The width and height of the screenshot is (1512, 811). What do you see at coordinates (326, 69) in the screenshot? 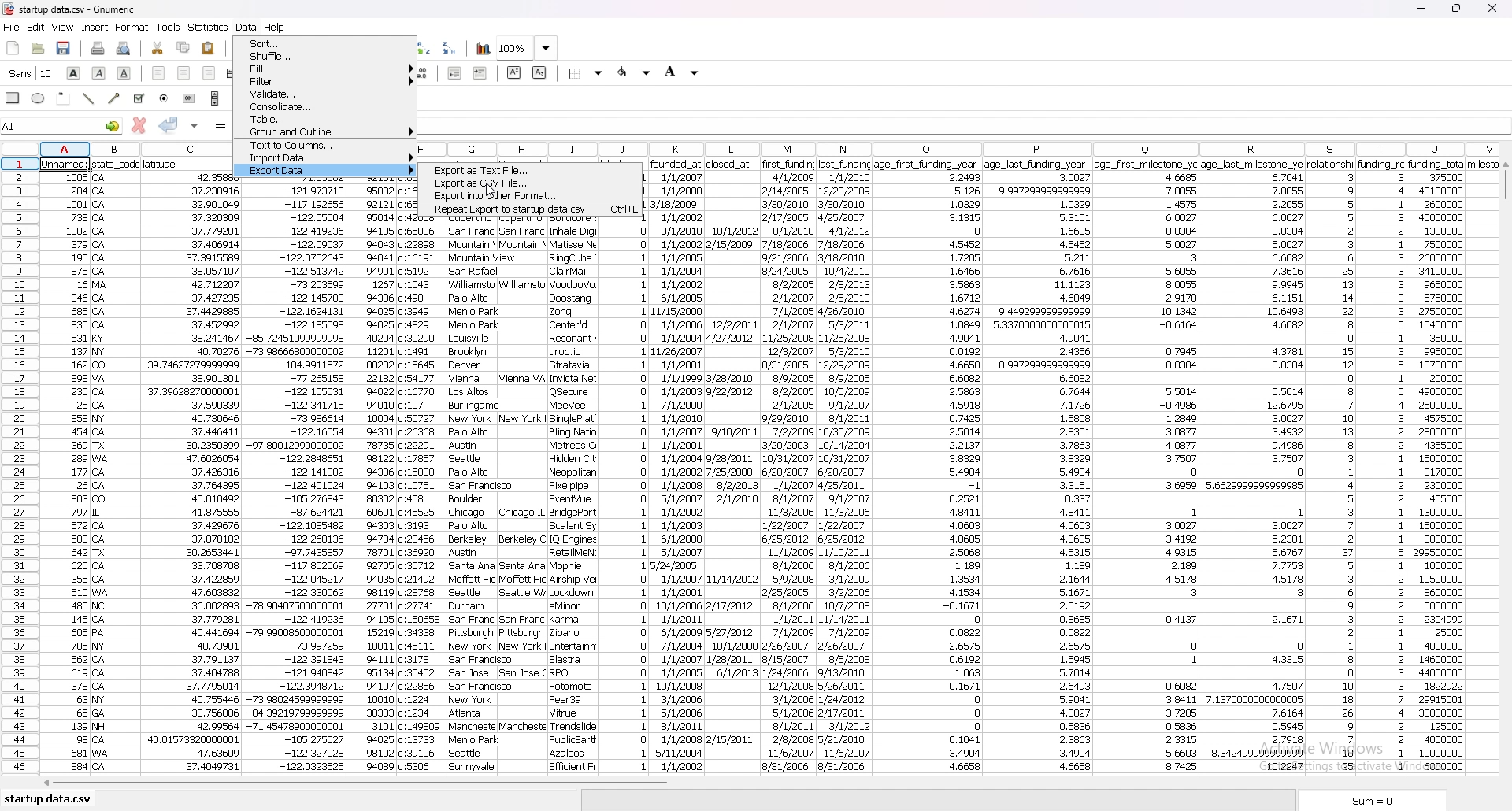
I see `fill` at bounding box center [326, 69].